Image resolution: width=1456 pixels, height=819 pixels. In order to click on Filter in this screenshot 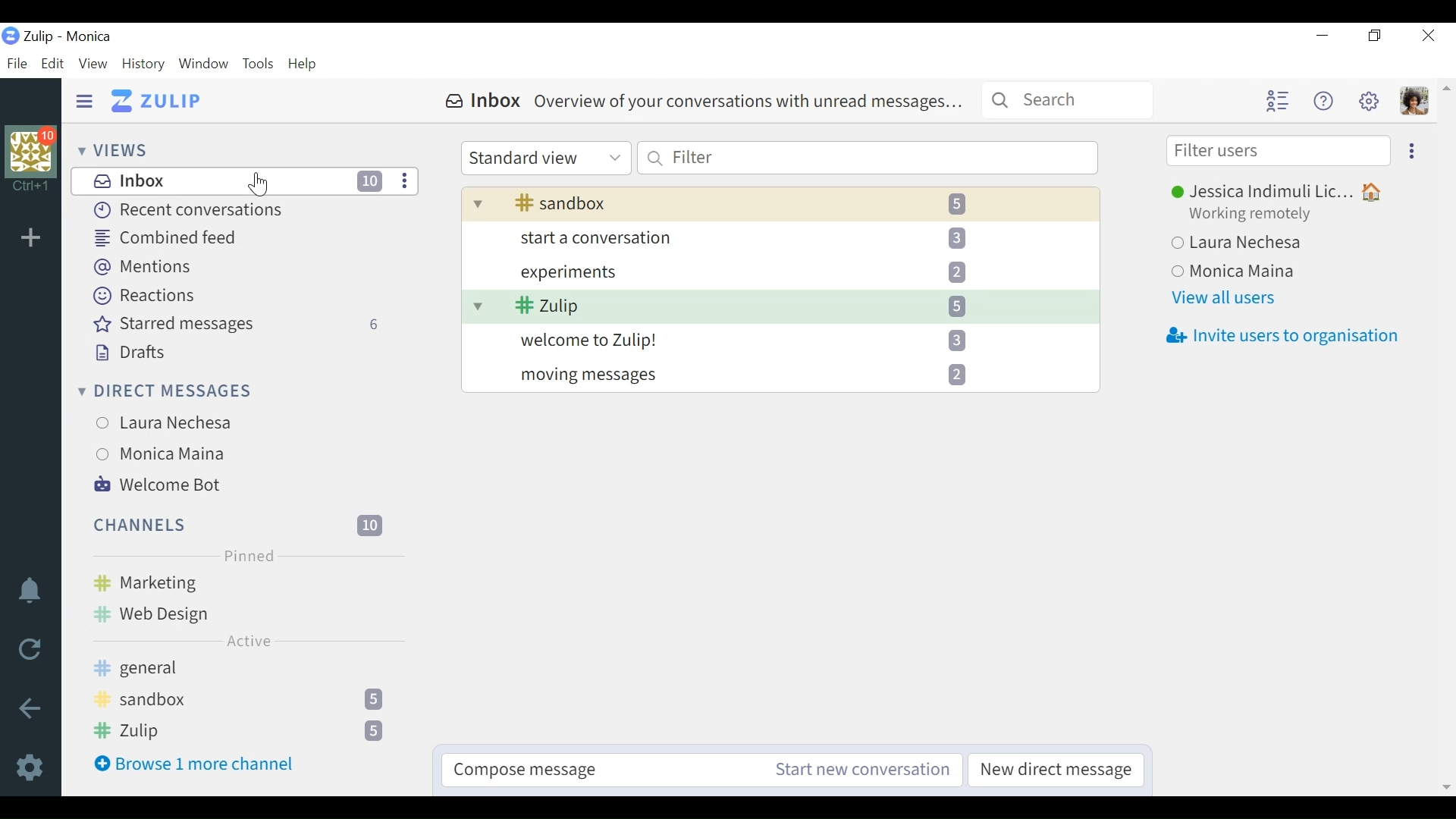, I will do `click(867, 158)`.